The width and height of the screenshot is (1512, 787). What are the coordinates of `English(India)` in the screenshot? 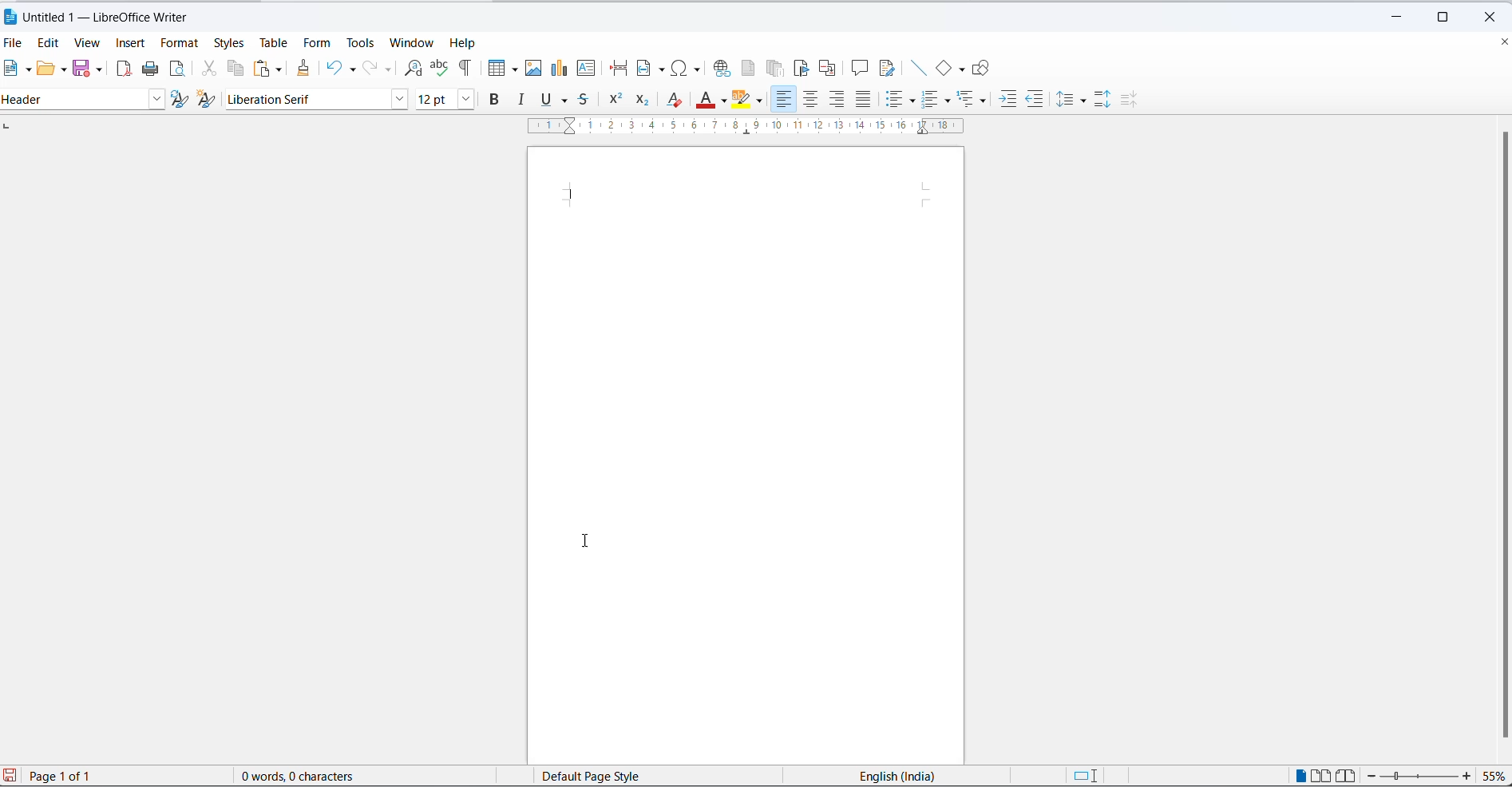 It's located at (881, 775).